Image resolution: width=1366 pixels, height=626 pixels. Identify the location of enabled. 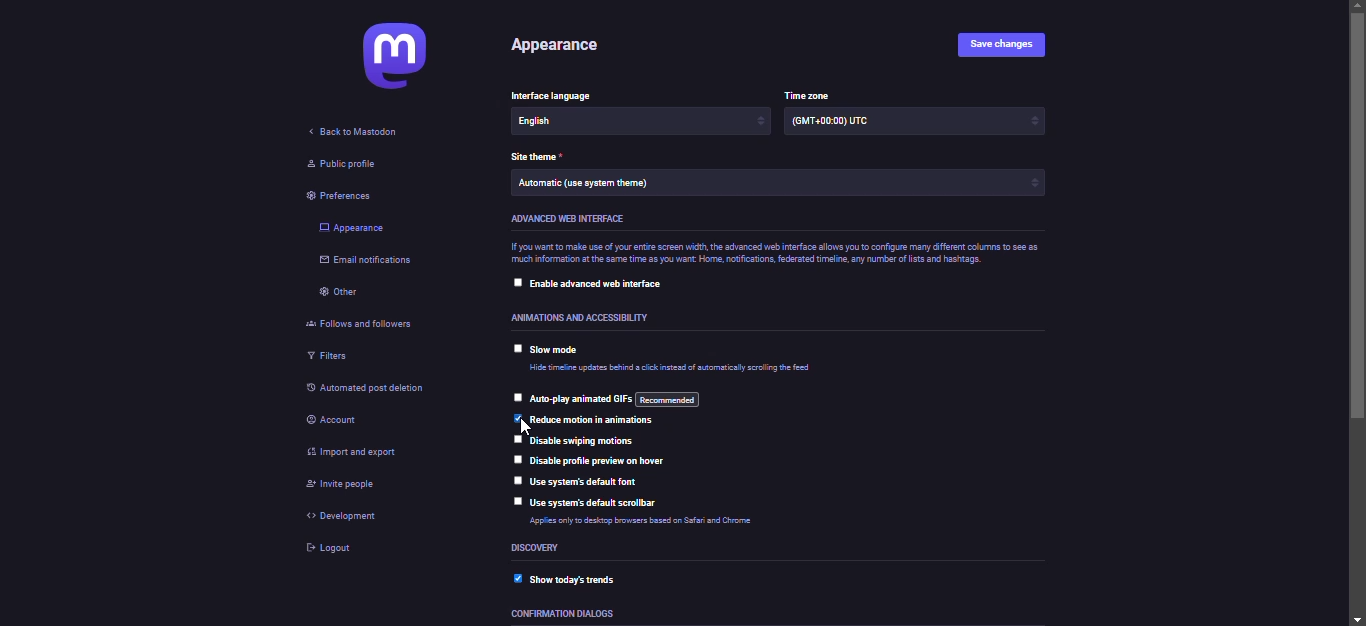
(517, 579).